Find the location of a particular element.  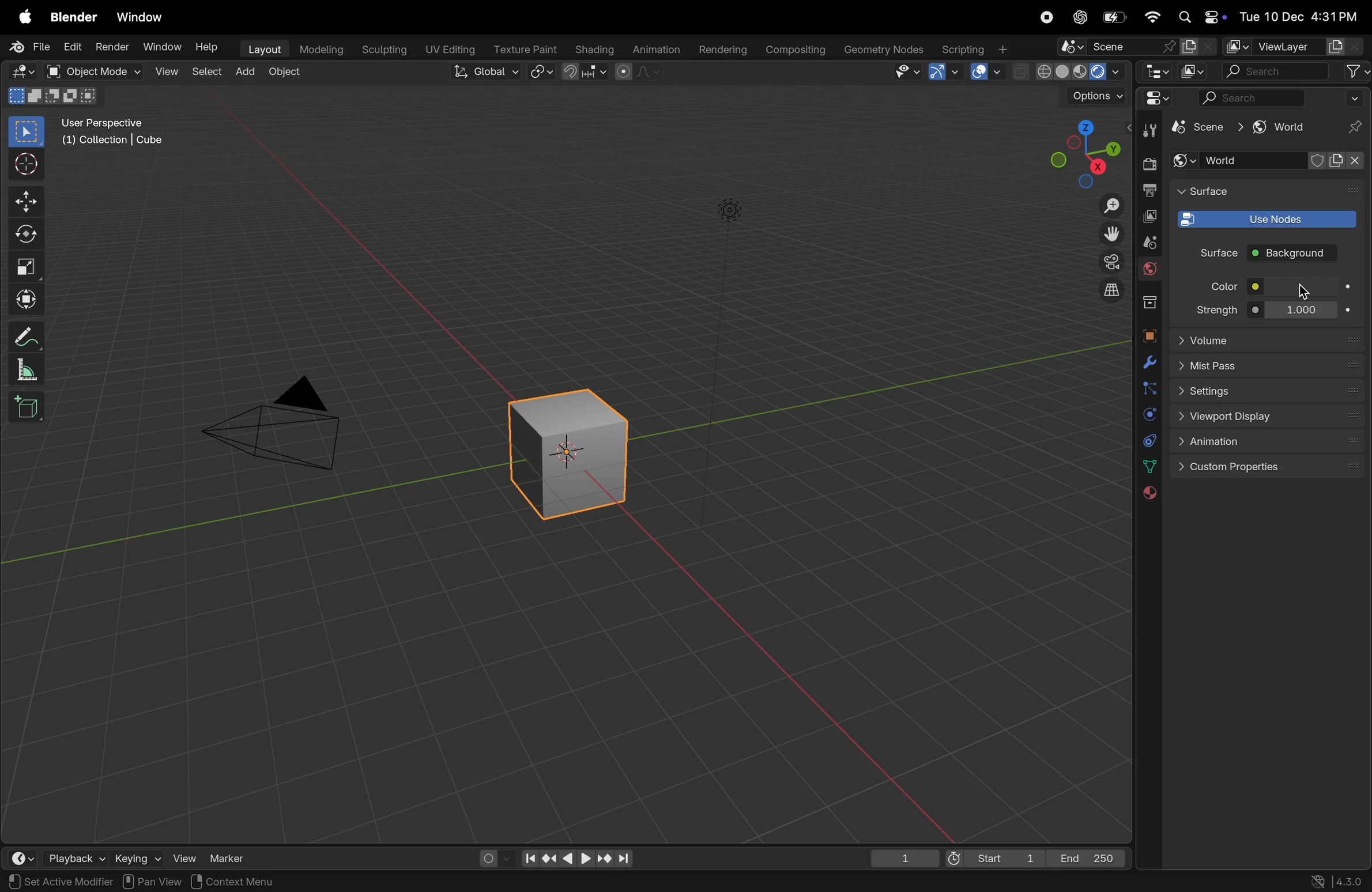

strength is located at coordinates (1216, 309).